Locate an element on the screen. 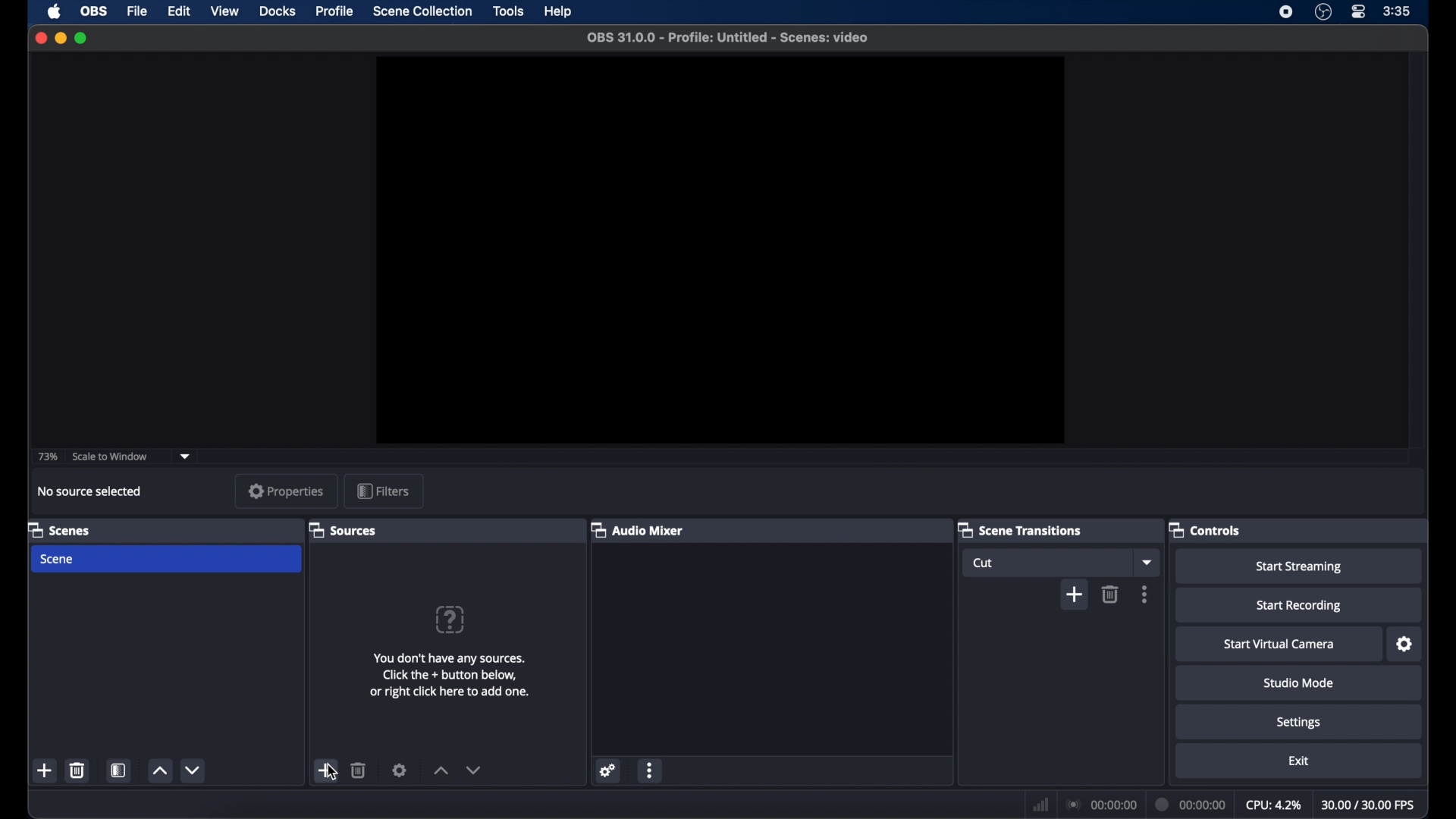 This screenshot has width=1456, height=819. dropdown is located at coordinates (1147, 561).